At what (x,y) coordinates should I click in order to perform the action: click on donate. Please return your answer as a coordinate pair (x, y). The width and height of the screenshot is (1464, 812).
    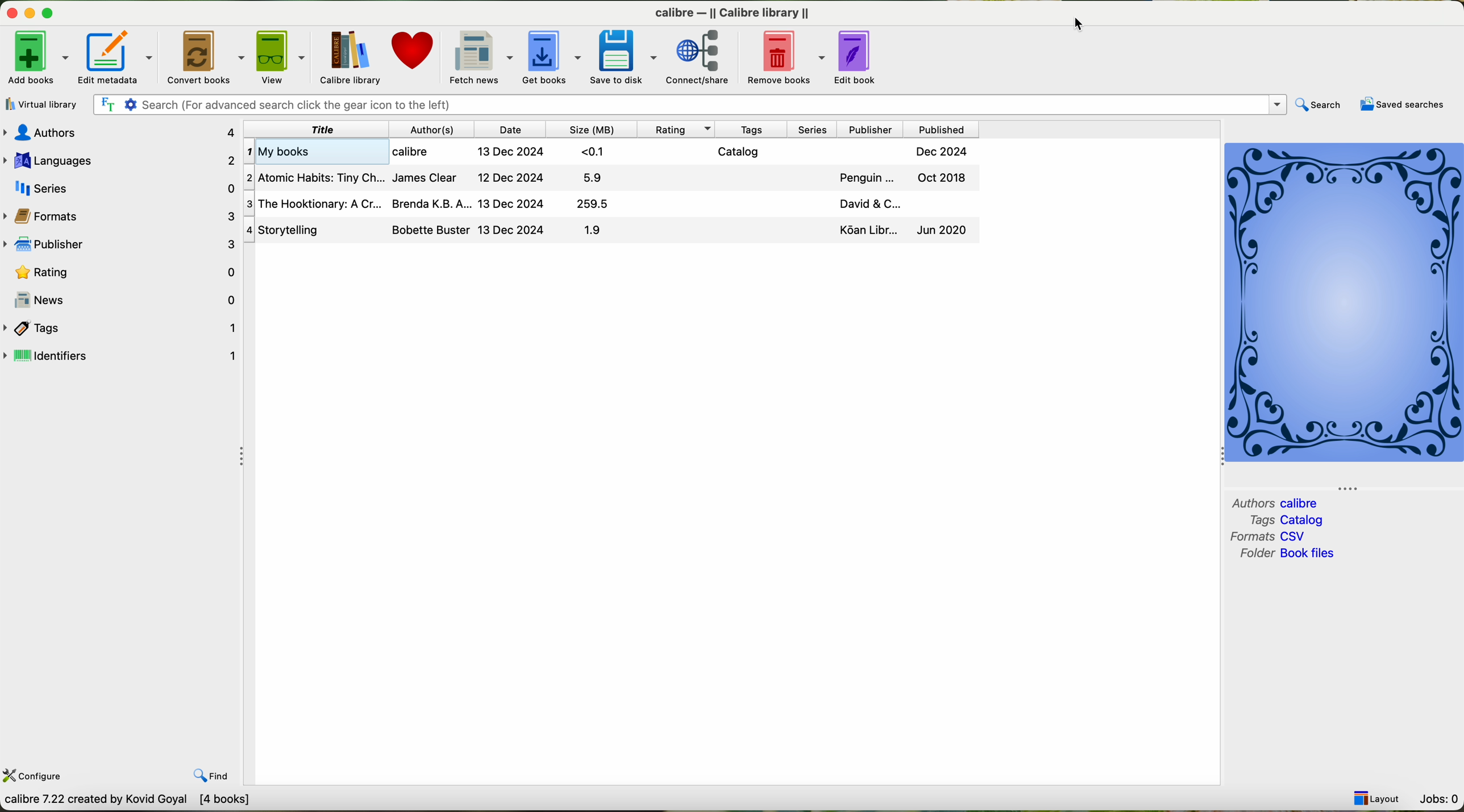
    Looking at the image, I should click on (414, 50).